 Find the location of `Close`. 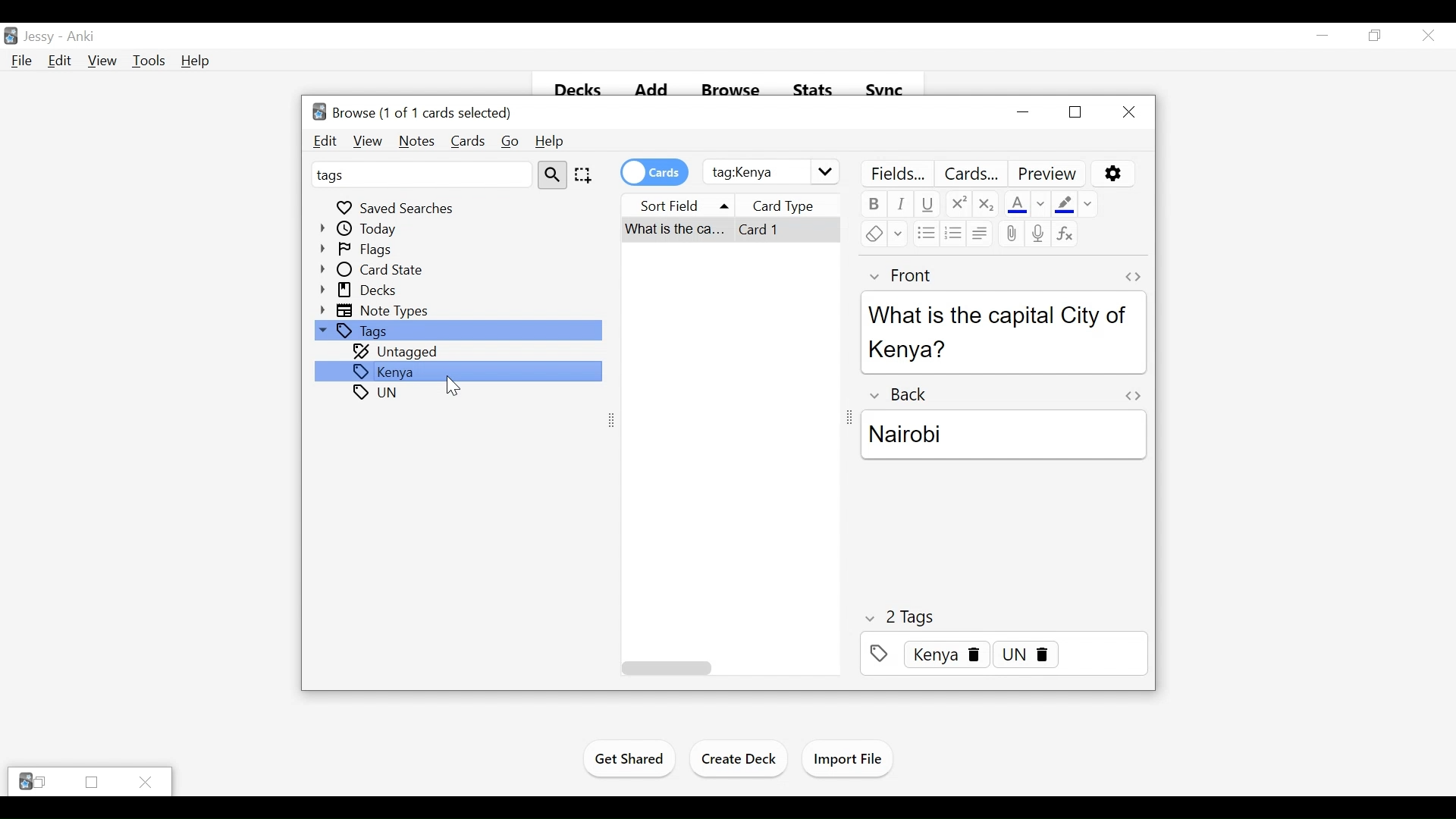

Close is located at coordinates (146, 781).